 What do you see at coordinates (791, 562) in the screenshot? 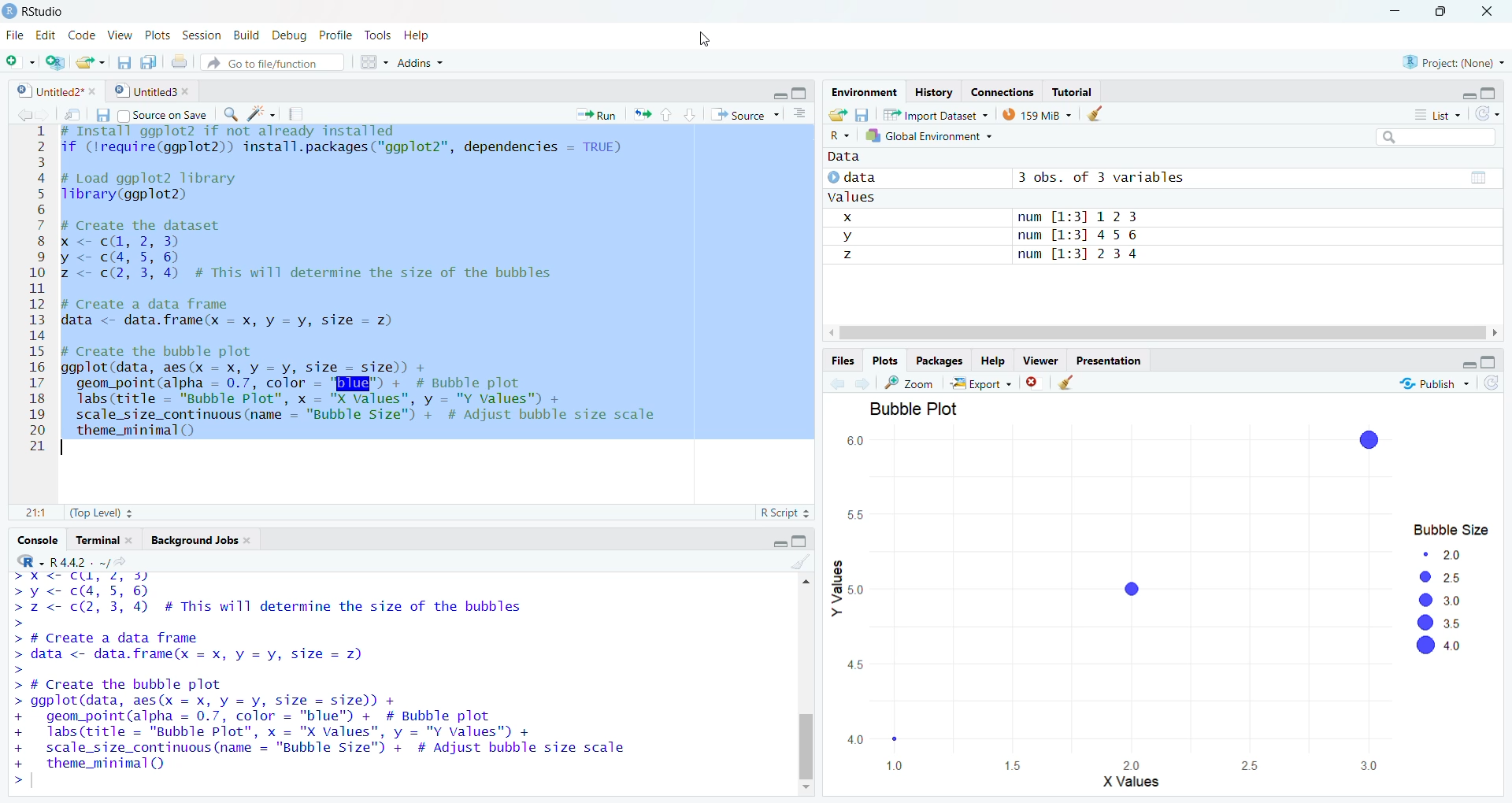
I see `clear console` at bounding box center [791, 562].